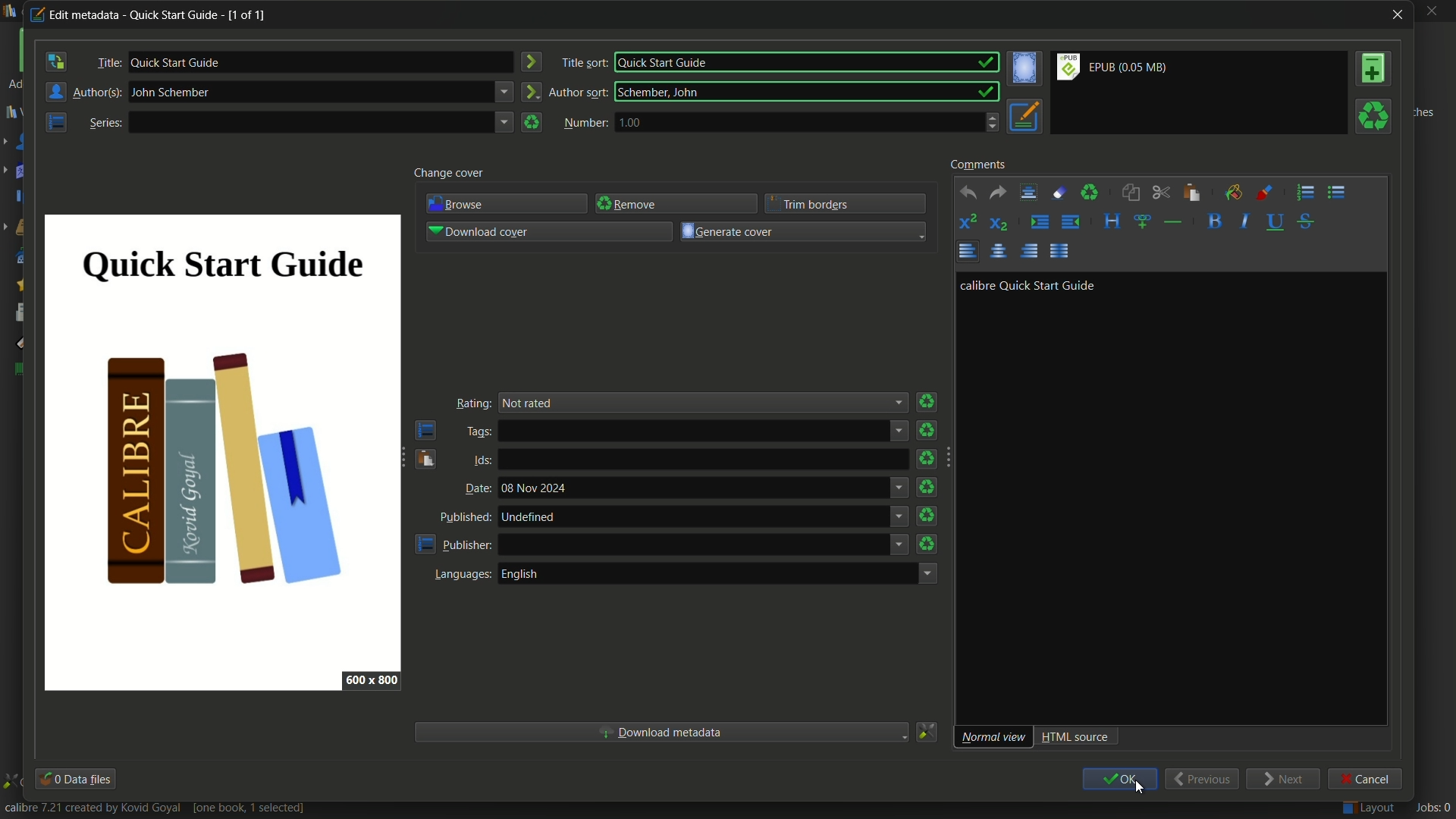 This screenshot has height=819, width=1456. I want to click on subscript, so click(999, 227).